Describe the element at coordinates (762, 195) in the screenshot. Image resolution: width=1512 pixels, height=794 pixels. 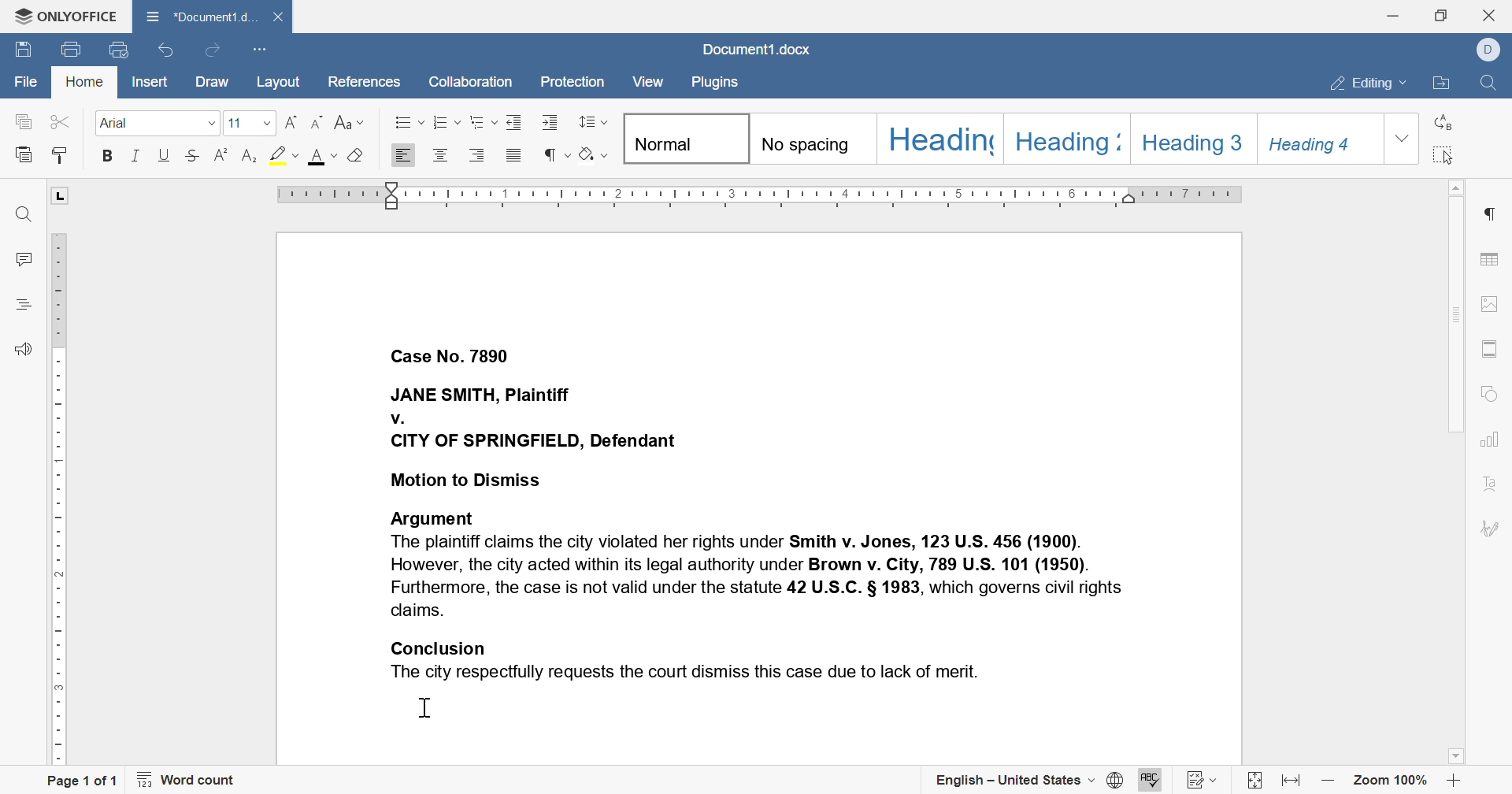
I see `ruler` at that location.